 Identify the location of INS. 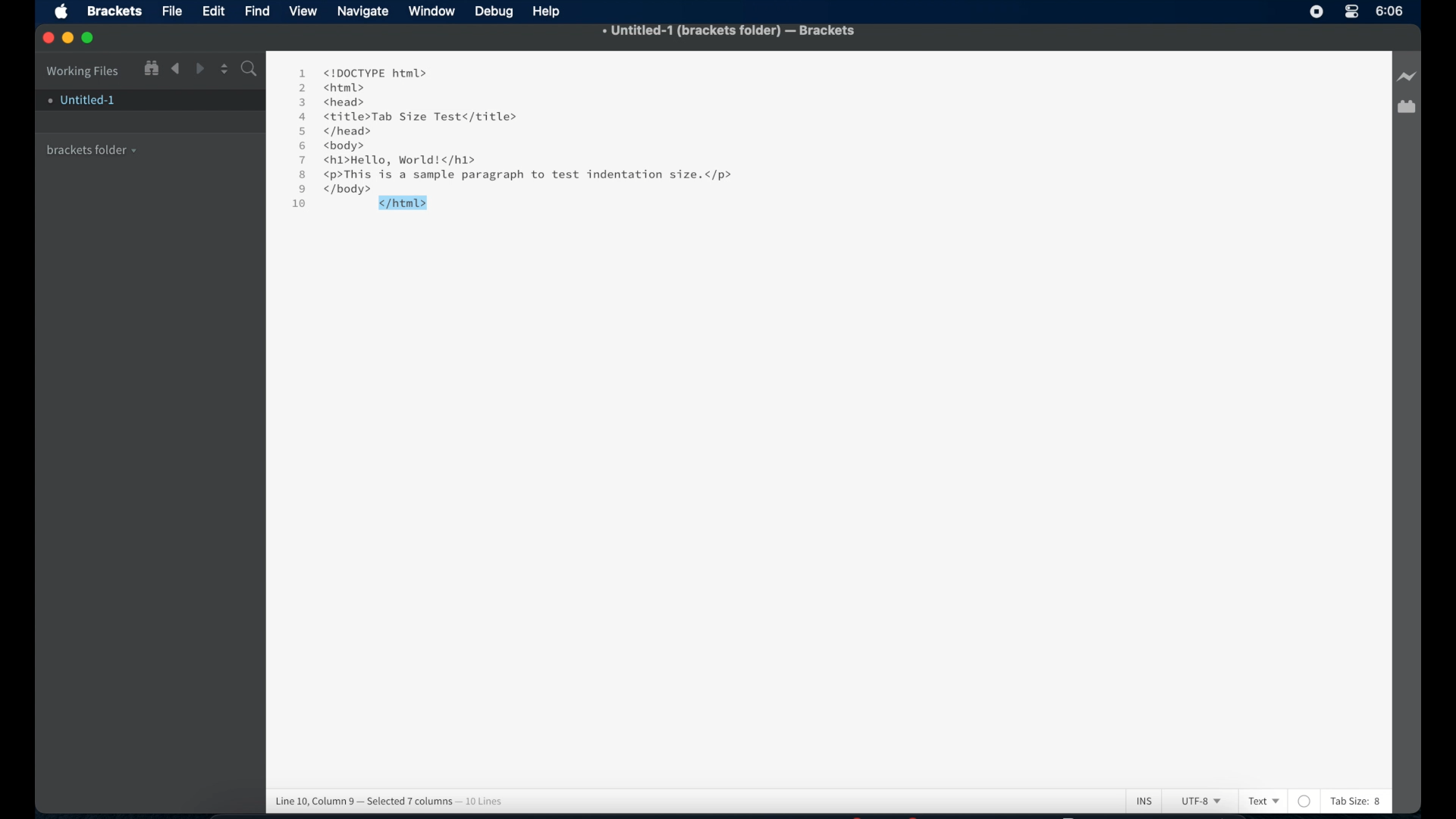
(1144, 800).